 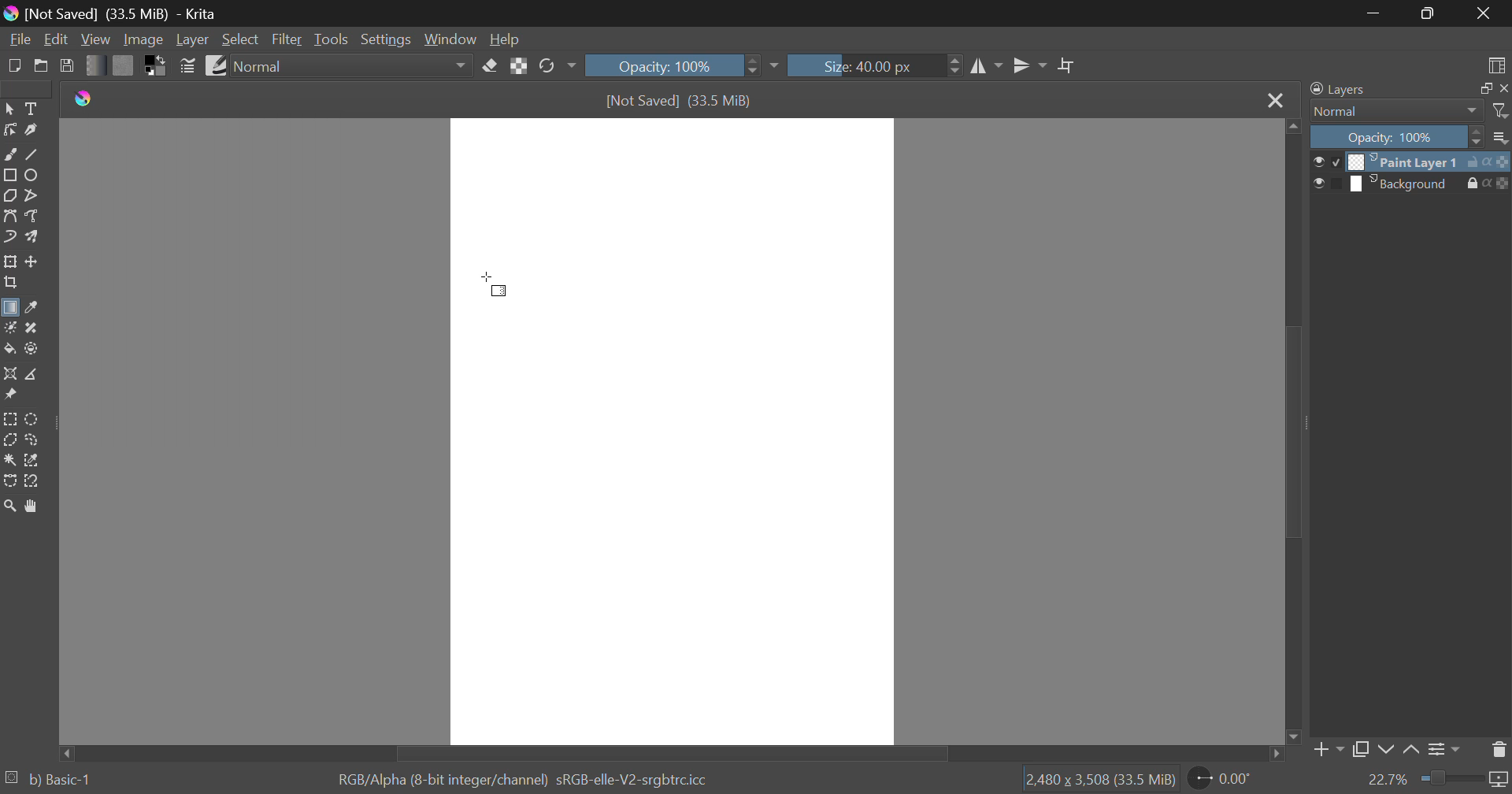 I want to click on Continuous Selection, so click(x=9, y=459).